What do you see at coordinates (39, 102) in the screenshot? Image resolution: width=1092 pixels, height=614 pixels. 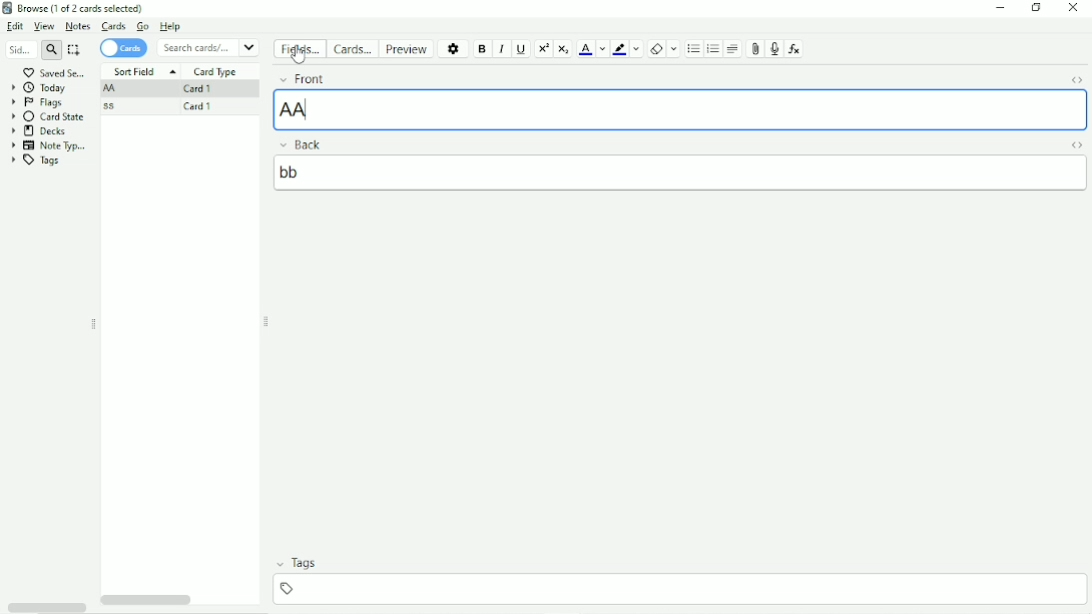 I see `Flags` at bounding box center [39, 102].